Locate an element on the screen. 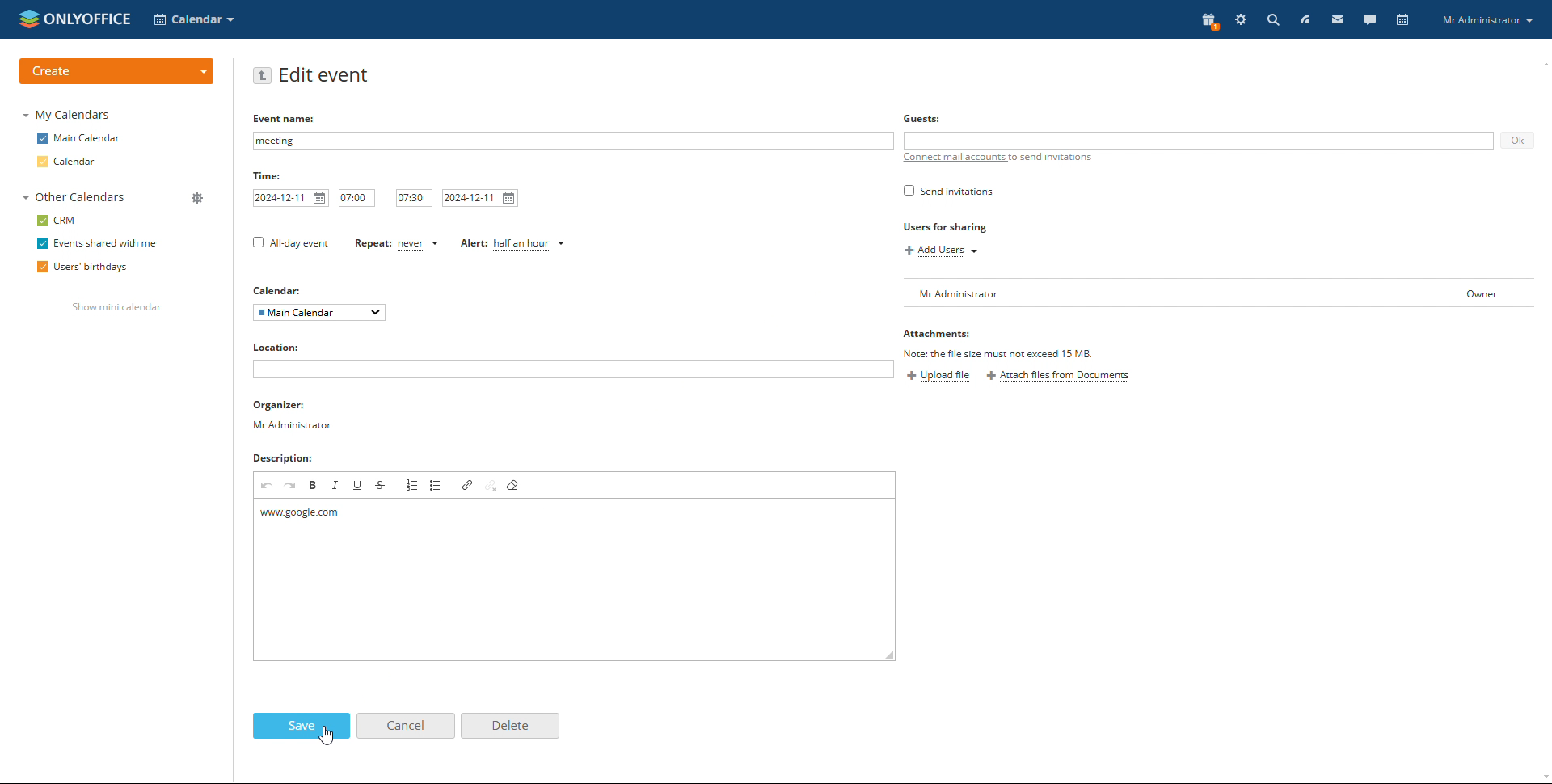  Event name: is located at coordinates (289, 118).